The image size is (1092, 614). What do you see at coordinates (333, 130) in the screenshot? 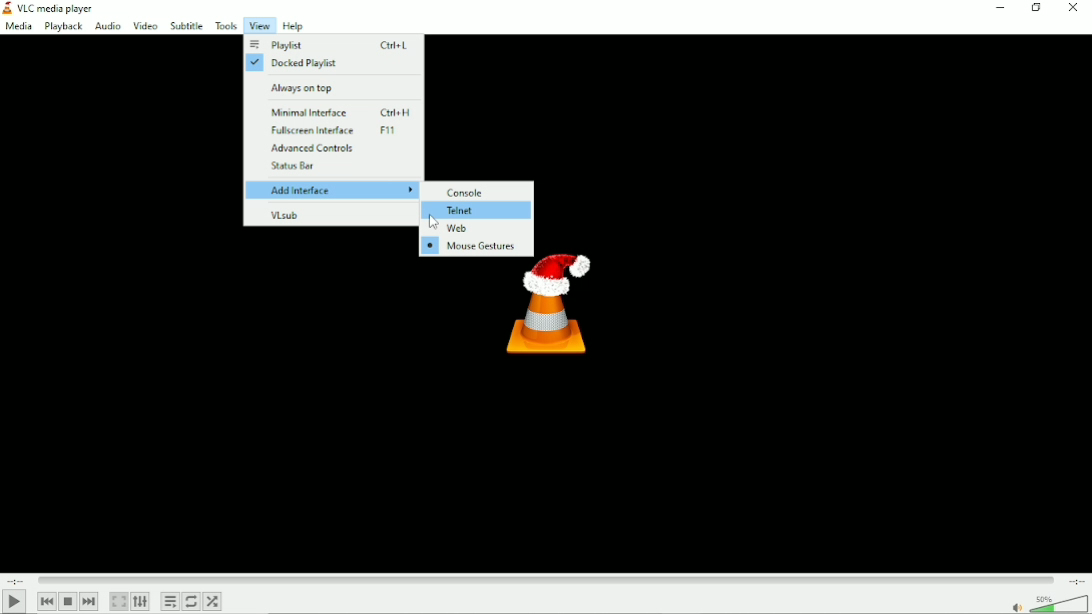
I see `Fullscreen interface` at bounding box center [333, 130].